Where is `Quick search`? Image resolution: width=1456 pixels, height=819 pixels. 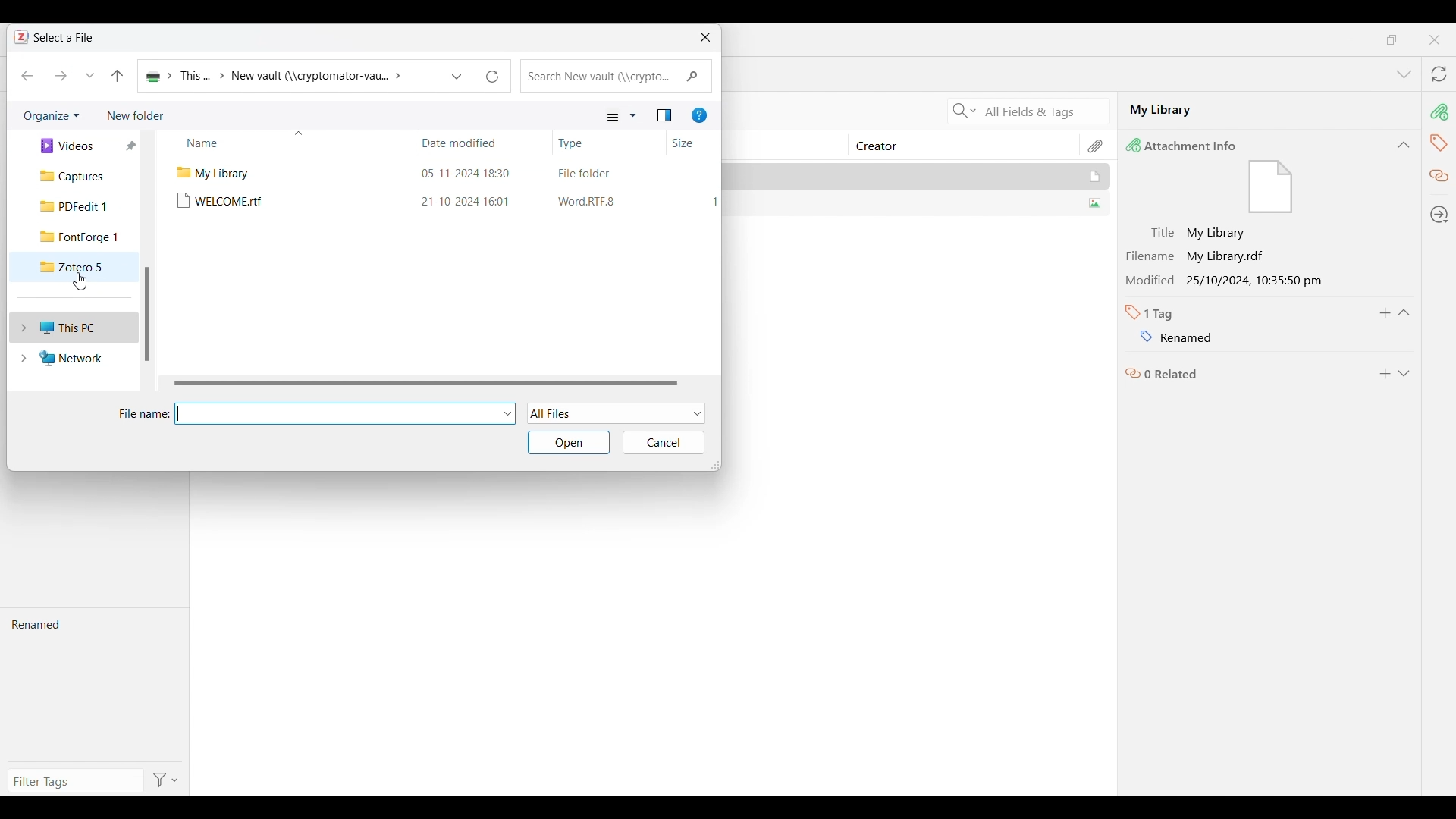 Quick search is located at coordinates (613, 77).